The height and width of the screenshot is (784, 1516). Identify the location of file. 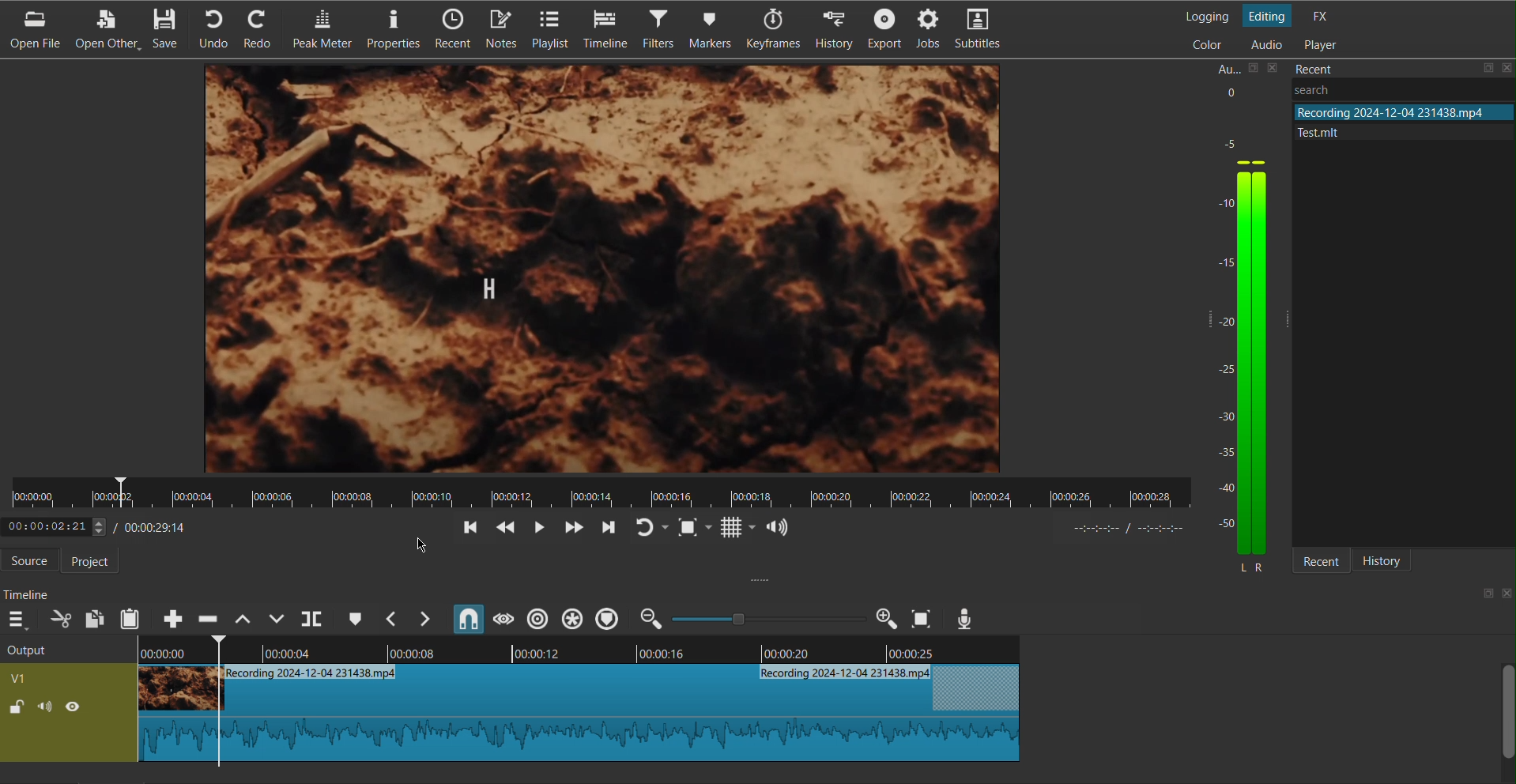
(1401, 111).